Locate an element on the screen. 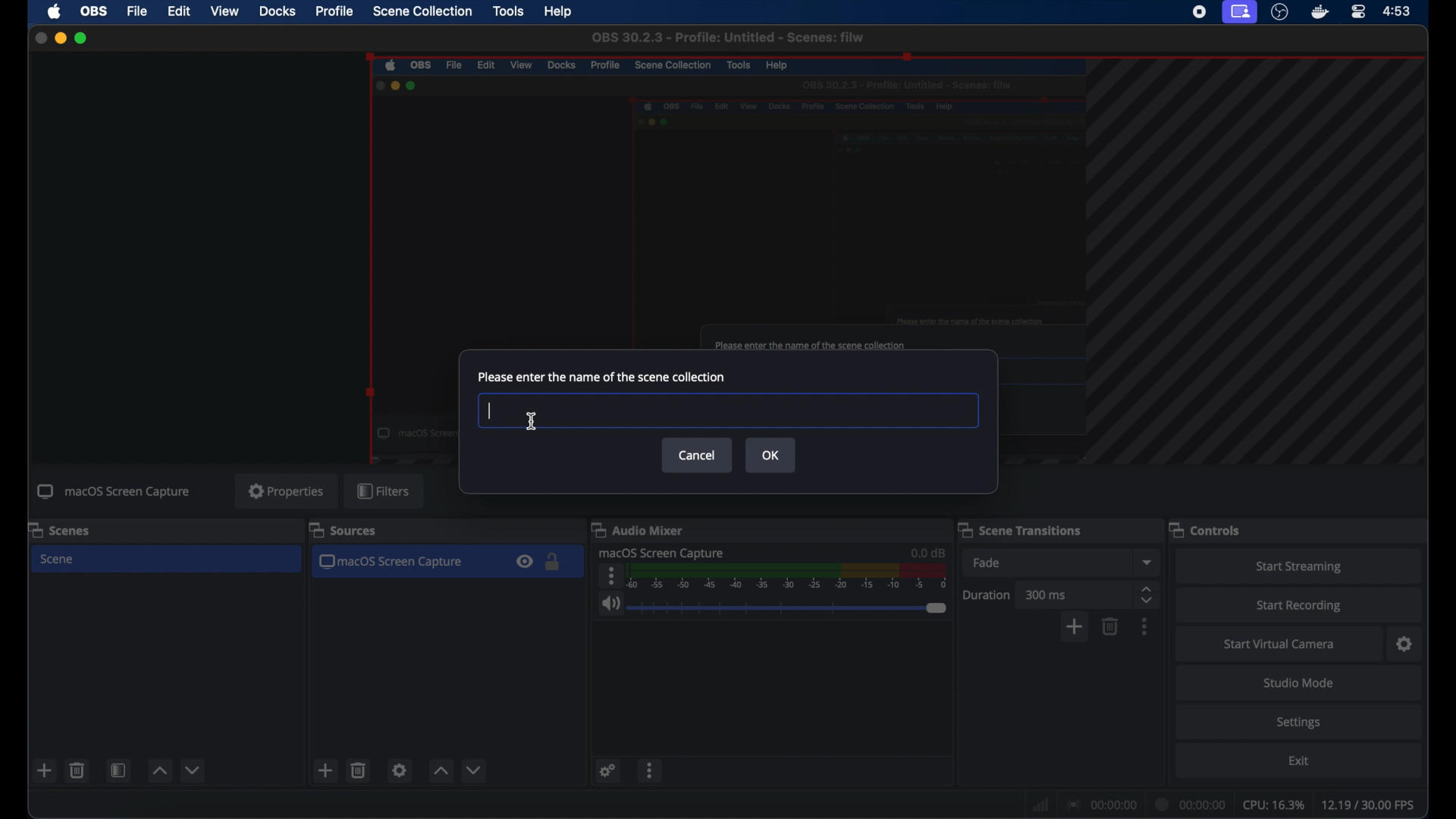 The height and width of the screenshot is (819, 1456). preview is located at coordinates (723, 202).